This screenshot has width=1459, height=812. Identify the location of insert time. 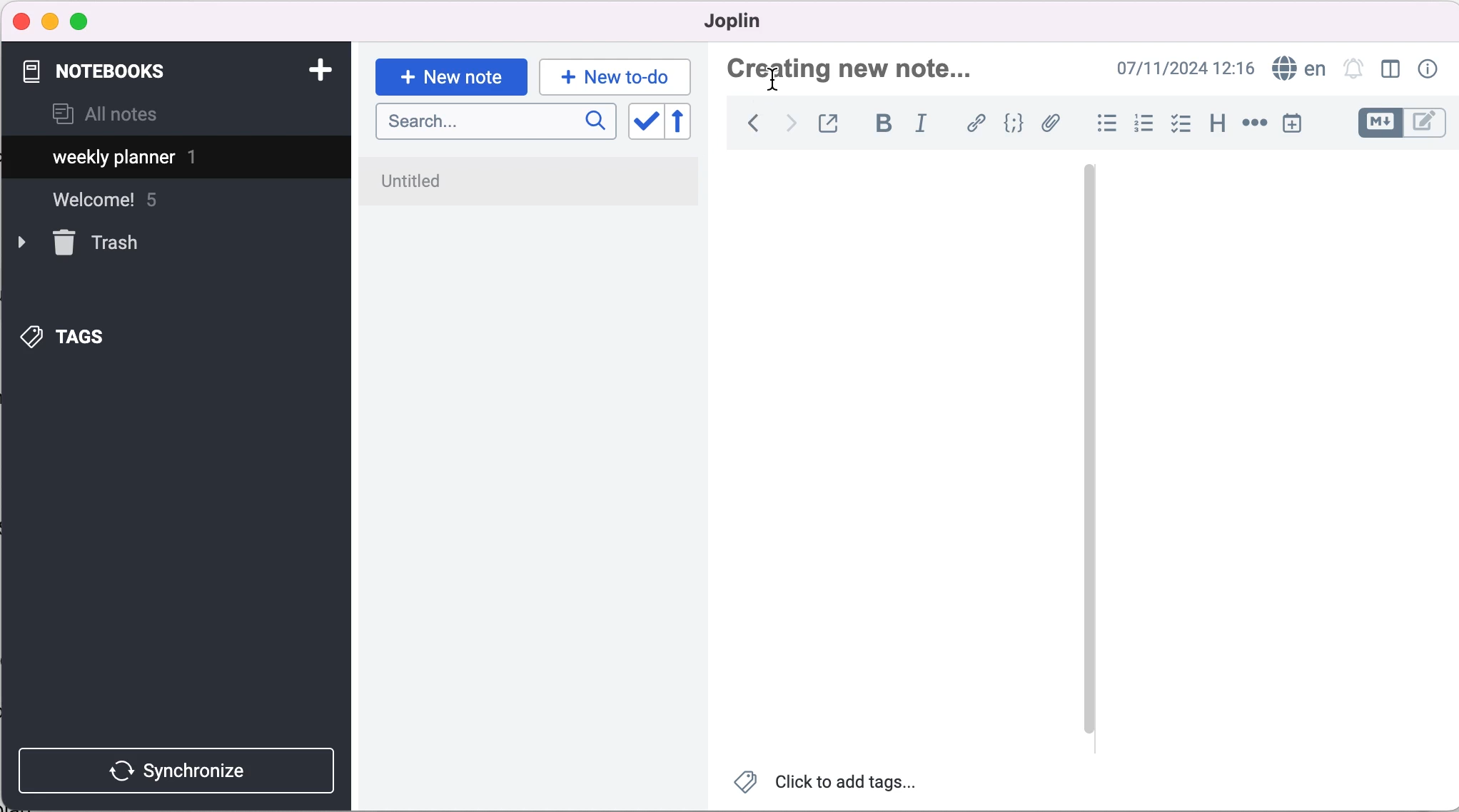
(1295, 123).